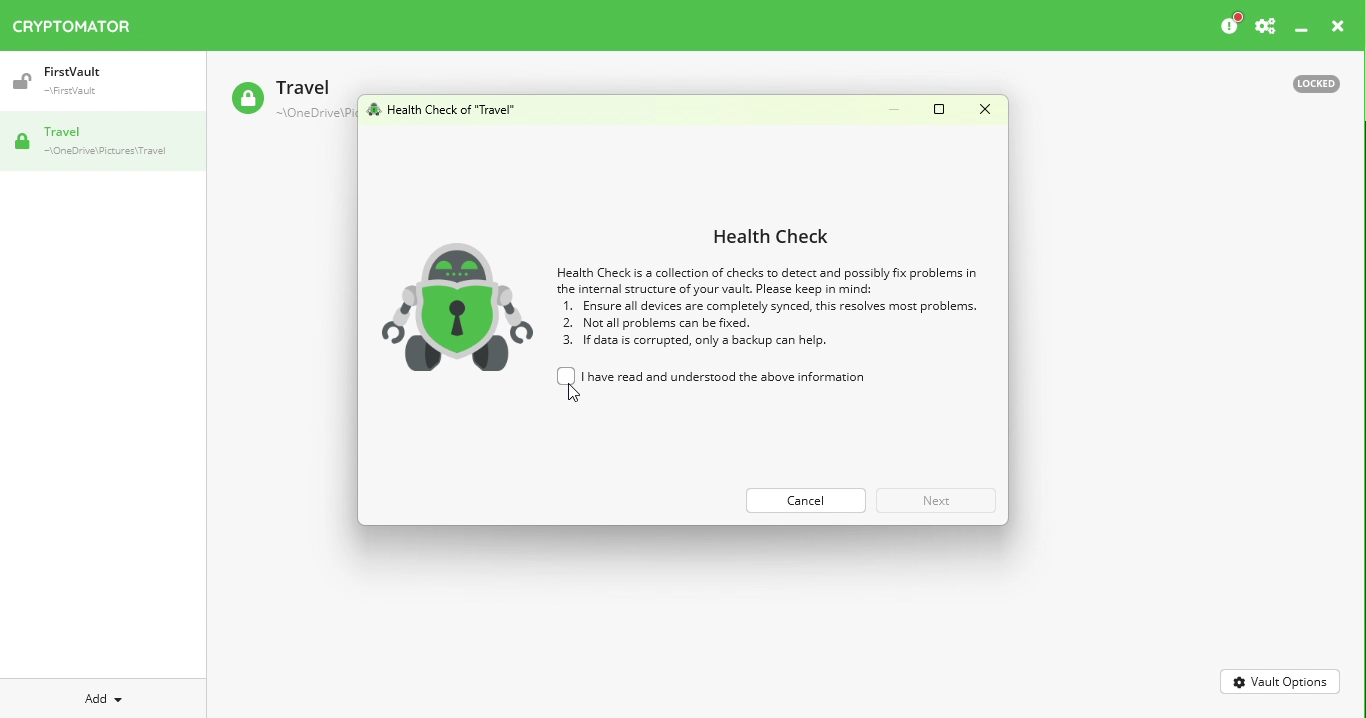 This screenshot has height=718, width=1366. I want to click on Cance, so click(804, 502).